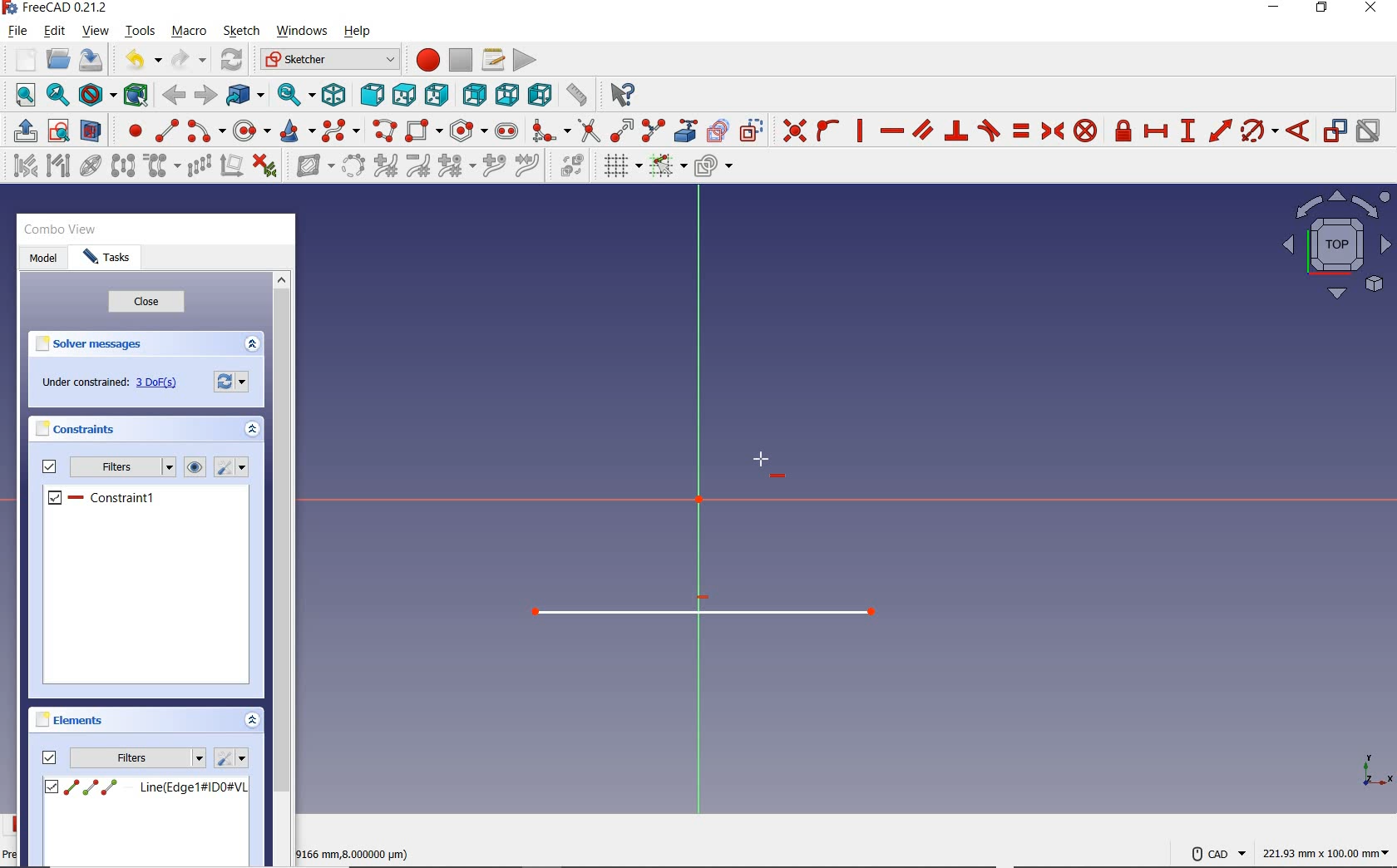 The height and width of the screenshot is (868, 1397). Describe the element at coordinates (47, 467) in the screenshot. I see `CHECK TO TOGGLE FILTERS` at that location.